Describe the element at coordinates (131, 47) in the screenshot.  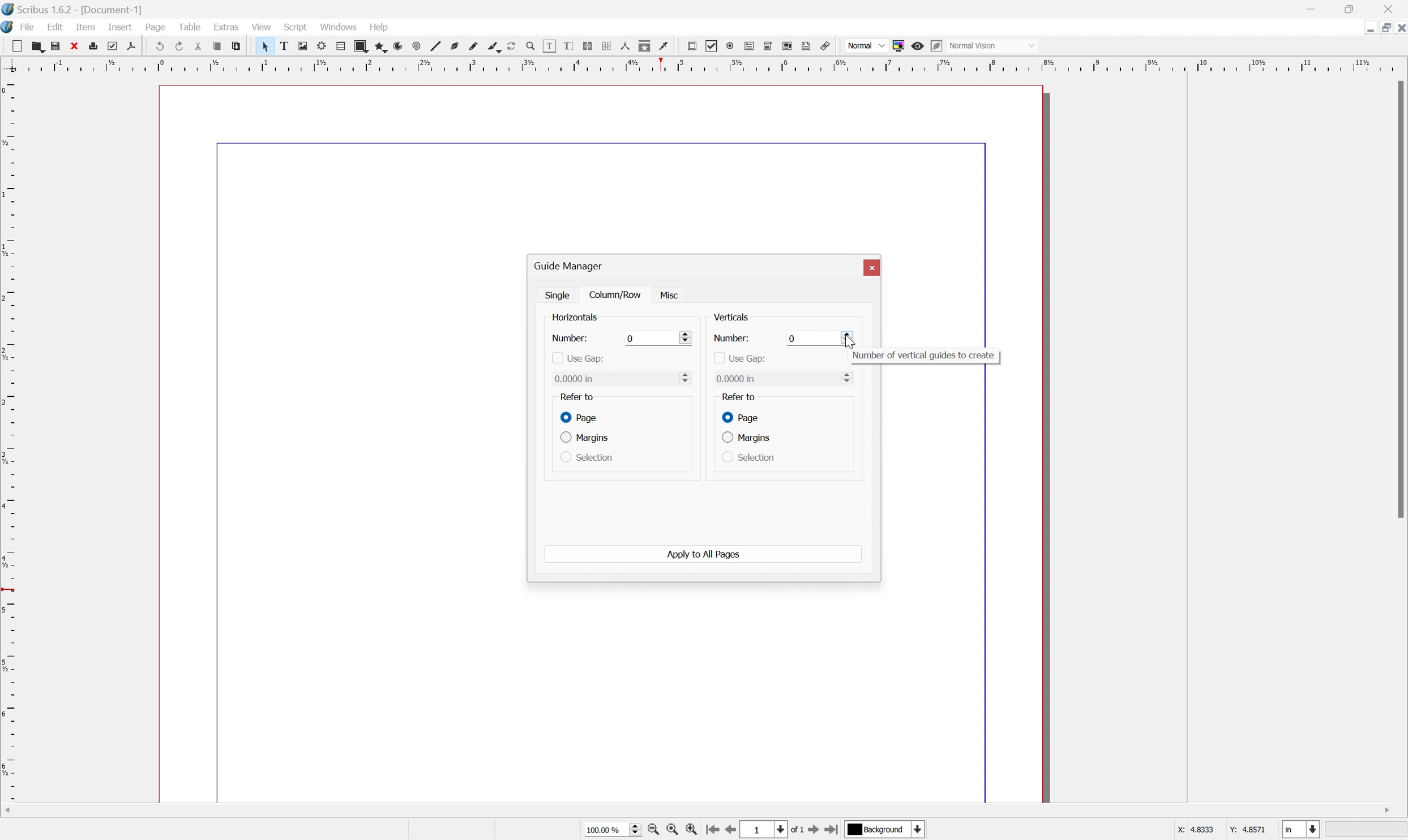
I see `export directly as PDF` at that location.